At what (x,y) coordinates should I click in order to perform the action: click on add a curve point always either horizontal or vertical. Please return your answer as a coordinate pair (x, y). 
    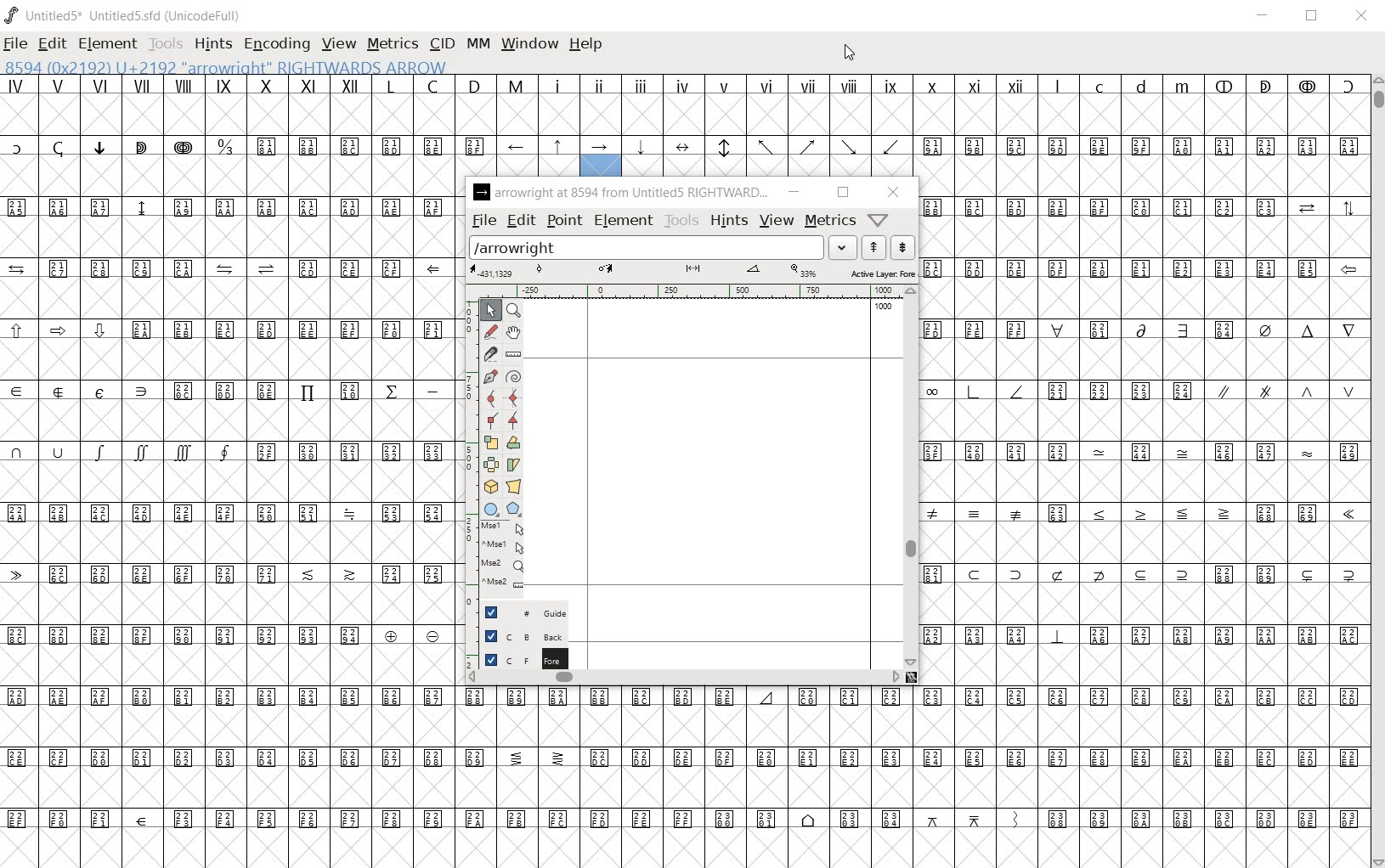
    Looking at the image, I should click on (515, 397).